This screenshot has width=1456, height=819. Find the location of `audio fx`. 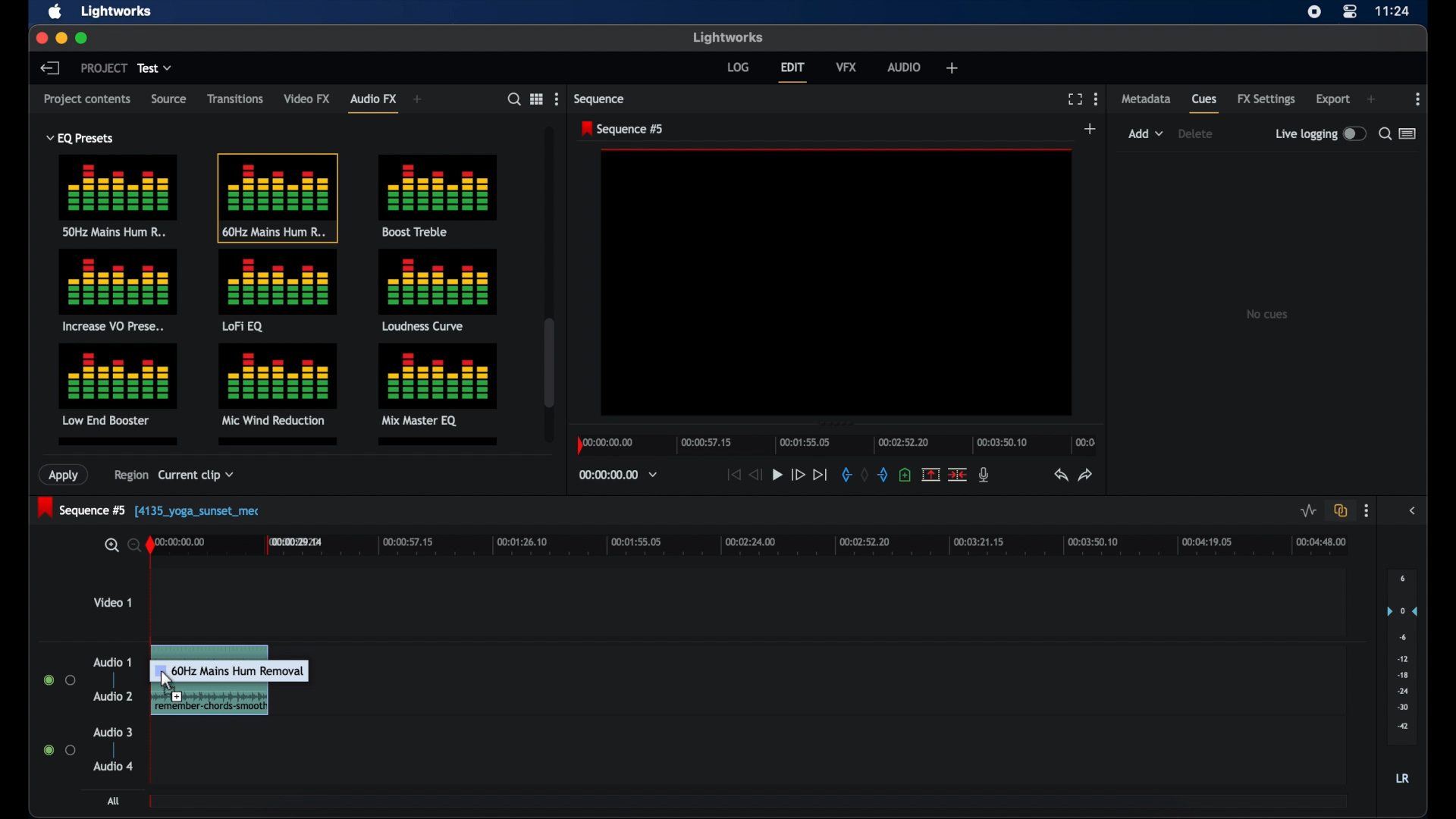

audio fx is located at coordinates (373, 102).